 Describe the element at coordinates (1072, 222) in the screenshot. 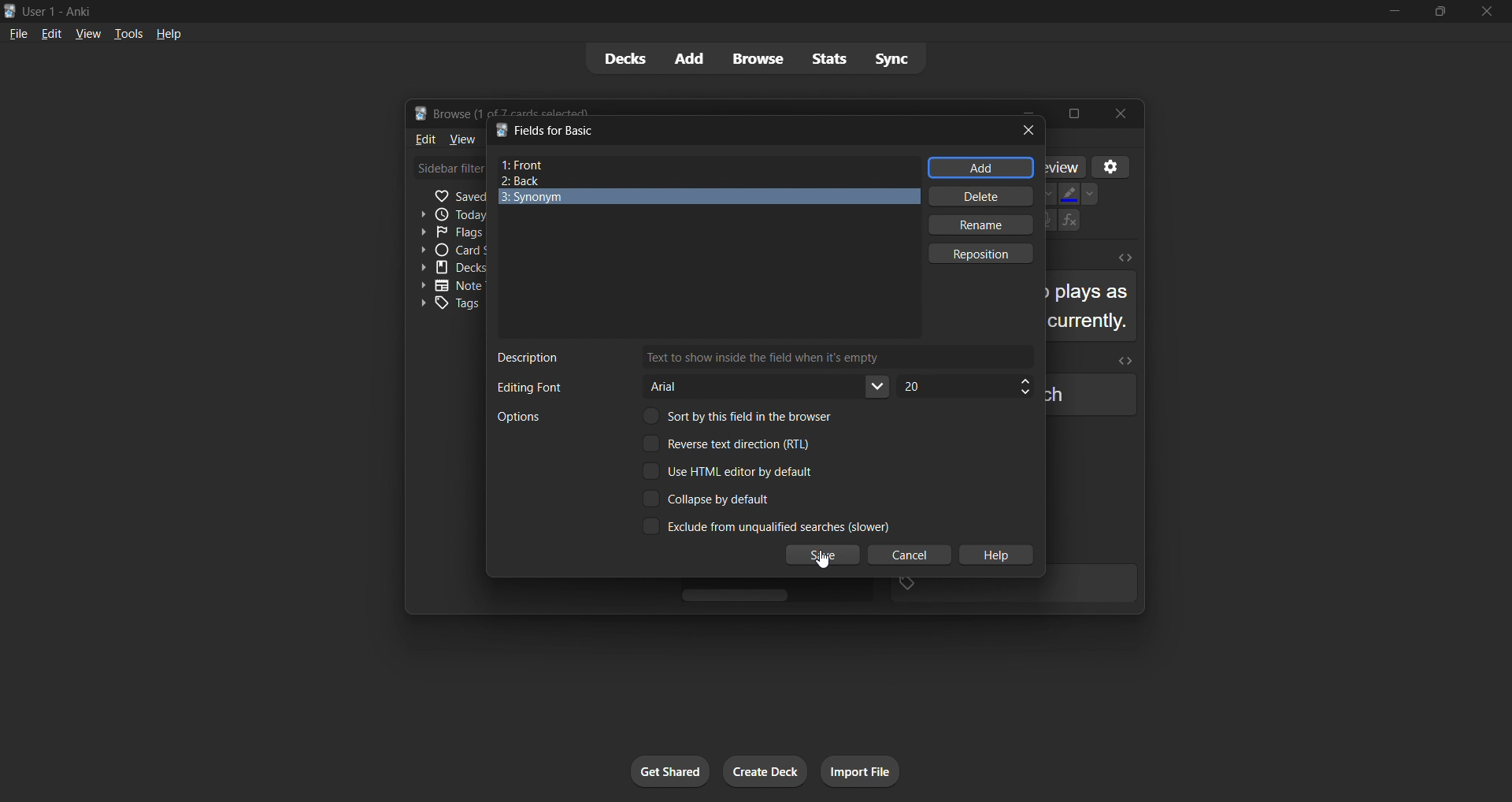

I see `Functions` at that location.